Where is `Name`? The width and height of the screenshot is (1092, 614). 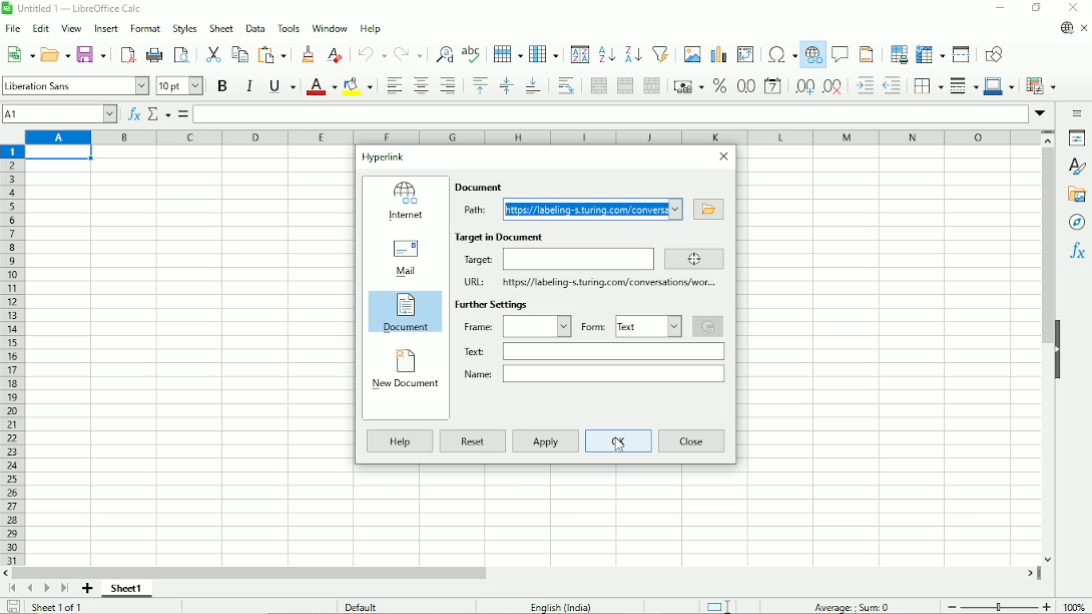 Name is located at coordinates (475, 373).